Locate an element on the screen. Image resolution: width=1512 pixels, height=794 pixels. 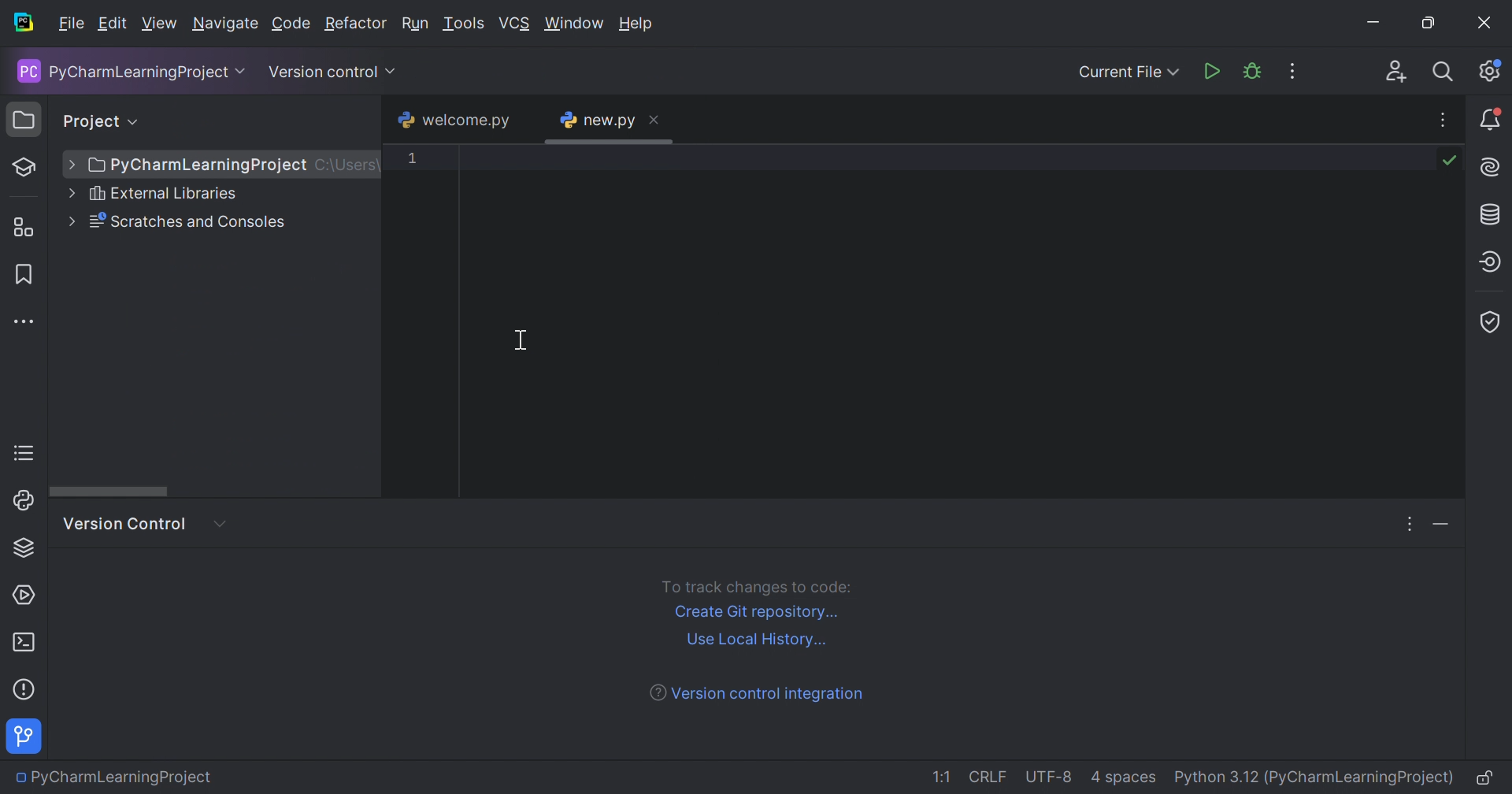
Current File is located at coordinates (1130, 73).